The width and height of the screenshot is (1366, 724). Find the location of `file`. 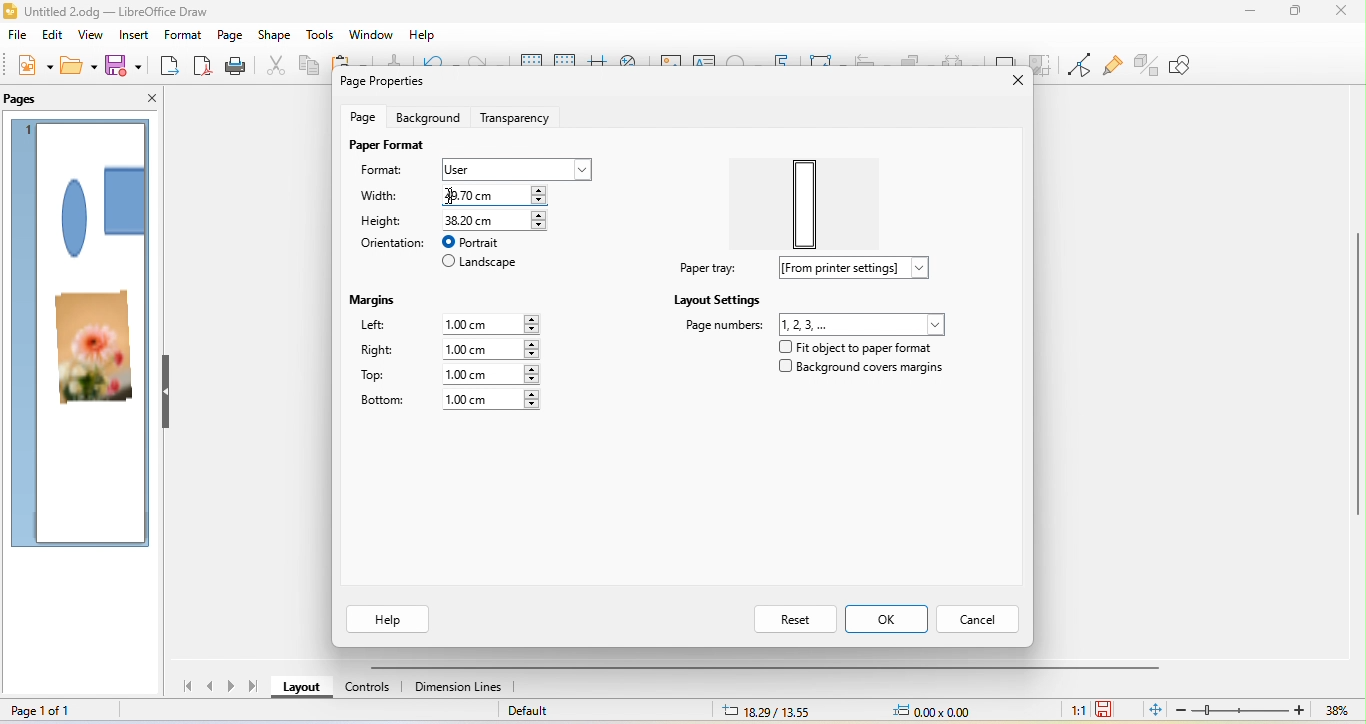

file is located at coordinates (18, 38).